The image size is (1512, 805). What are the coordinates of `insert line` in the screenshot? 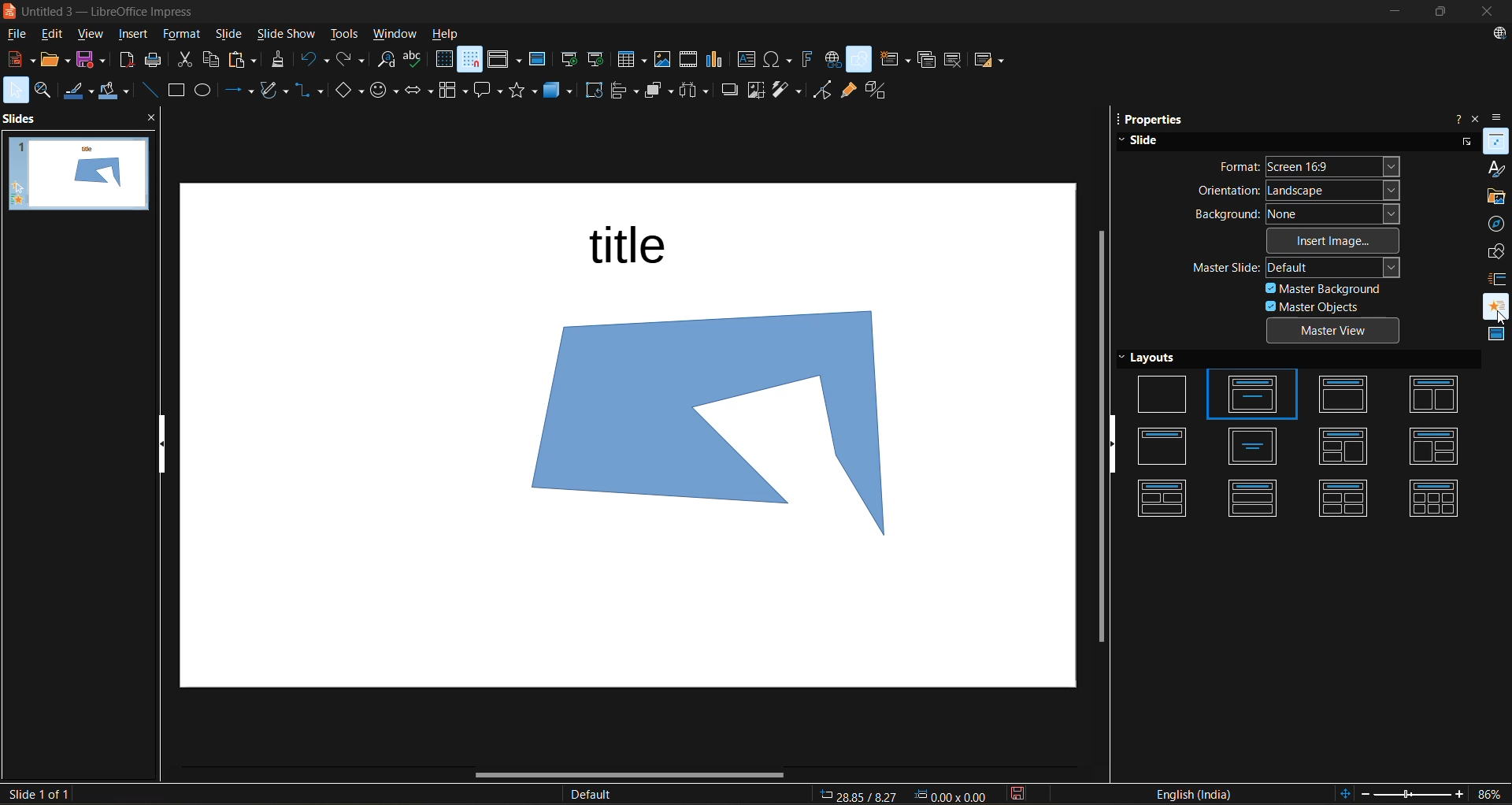 It's located at (150, 89).